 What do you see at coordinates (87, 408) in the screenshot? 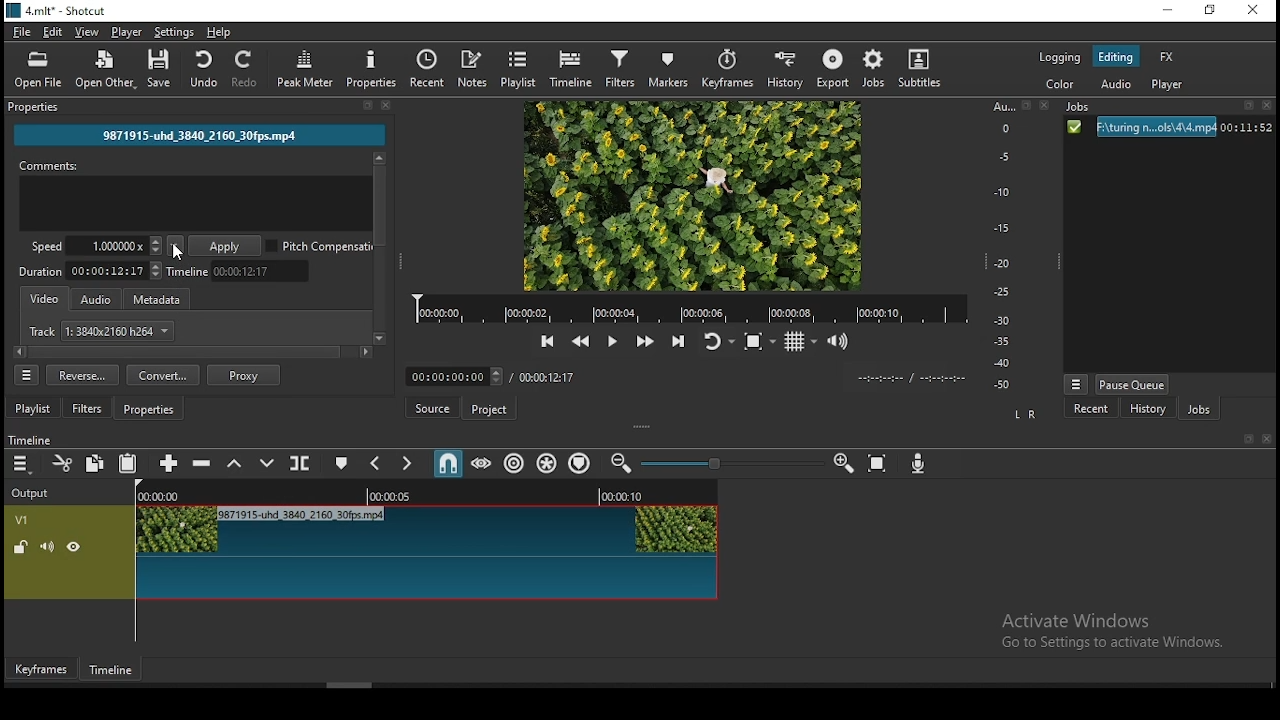
I see `filters` at bounding box center [87, 408].